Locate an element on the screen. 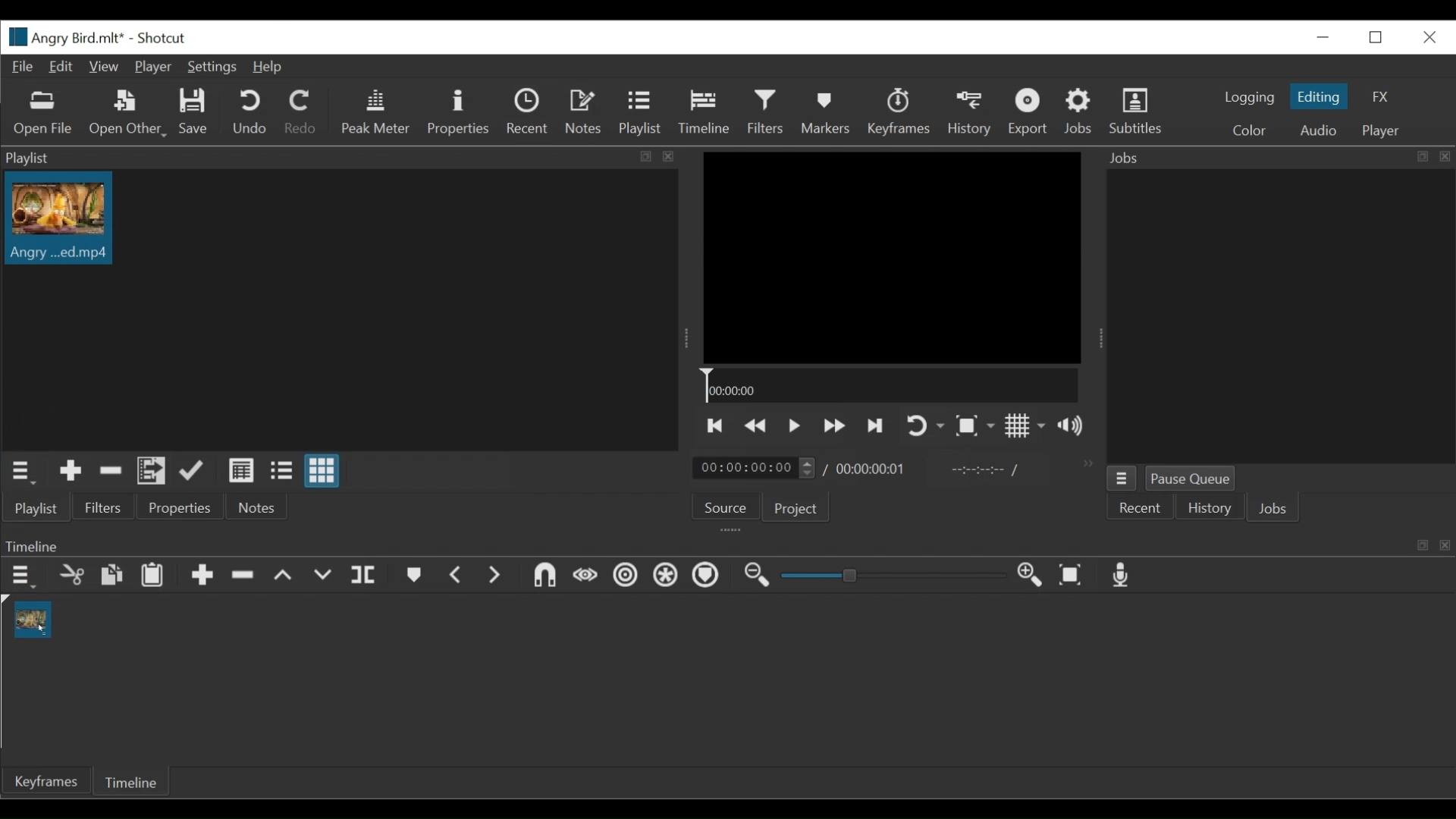 Image resolution: width=1456 pixels, height=819 pixels. Play backward quickly is located at coordinates (756, 427).